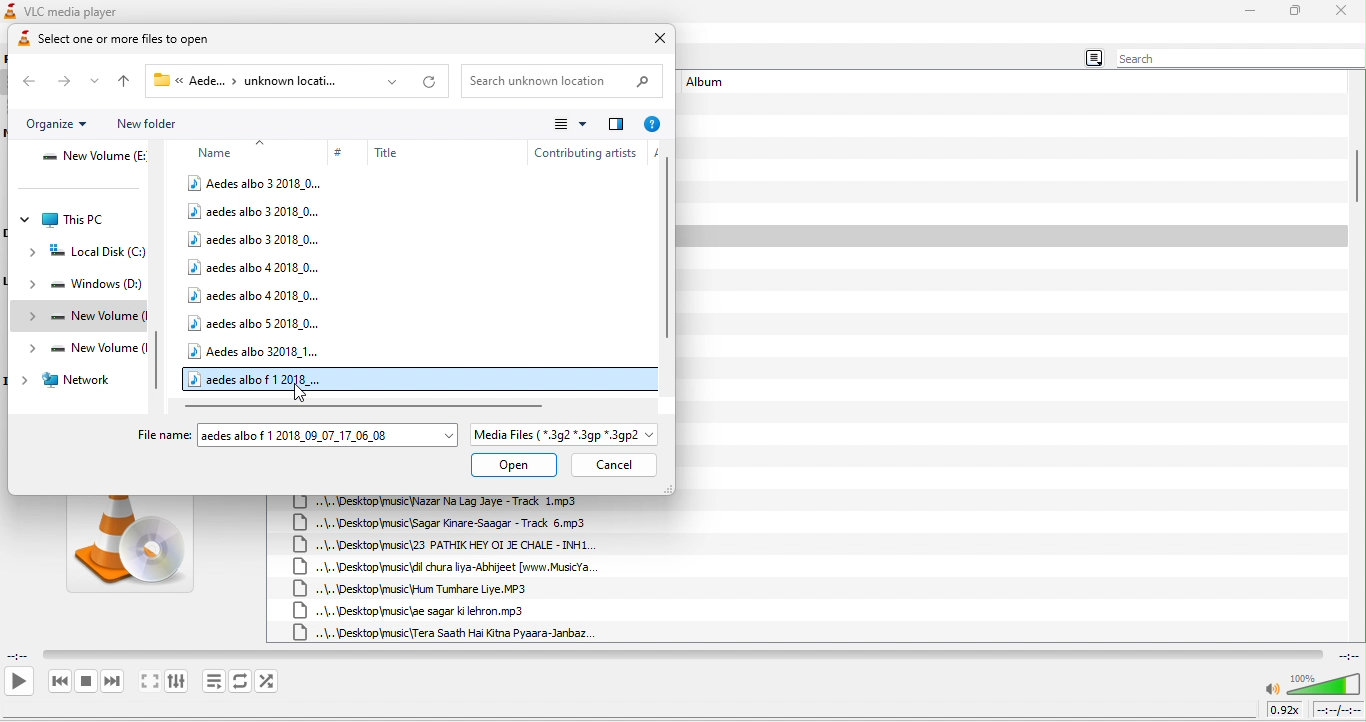 The image size is (1366, 722). I want to click on album, so click(711, 84).